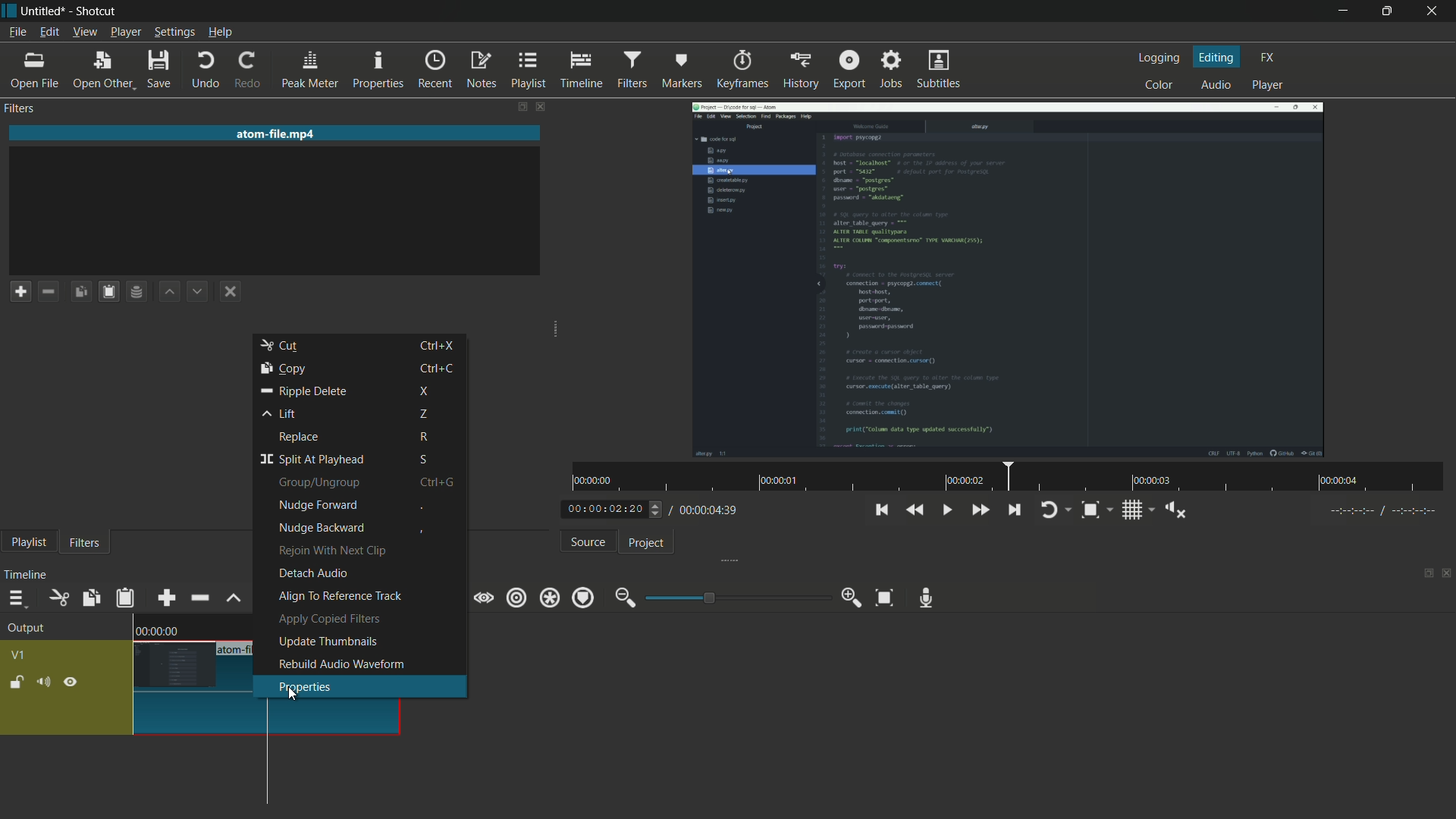  Describe the element at coordinates (940, 68) in the screenshot. I see `subtitles` at that location.